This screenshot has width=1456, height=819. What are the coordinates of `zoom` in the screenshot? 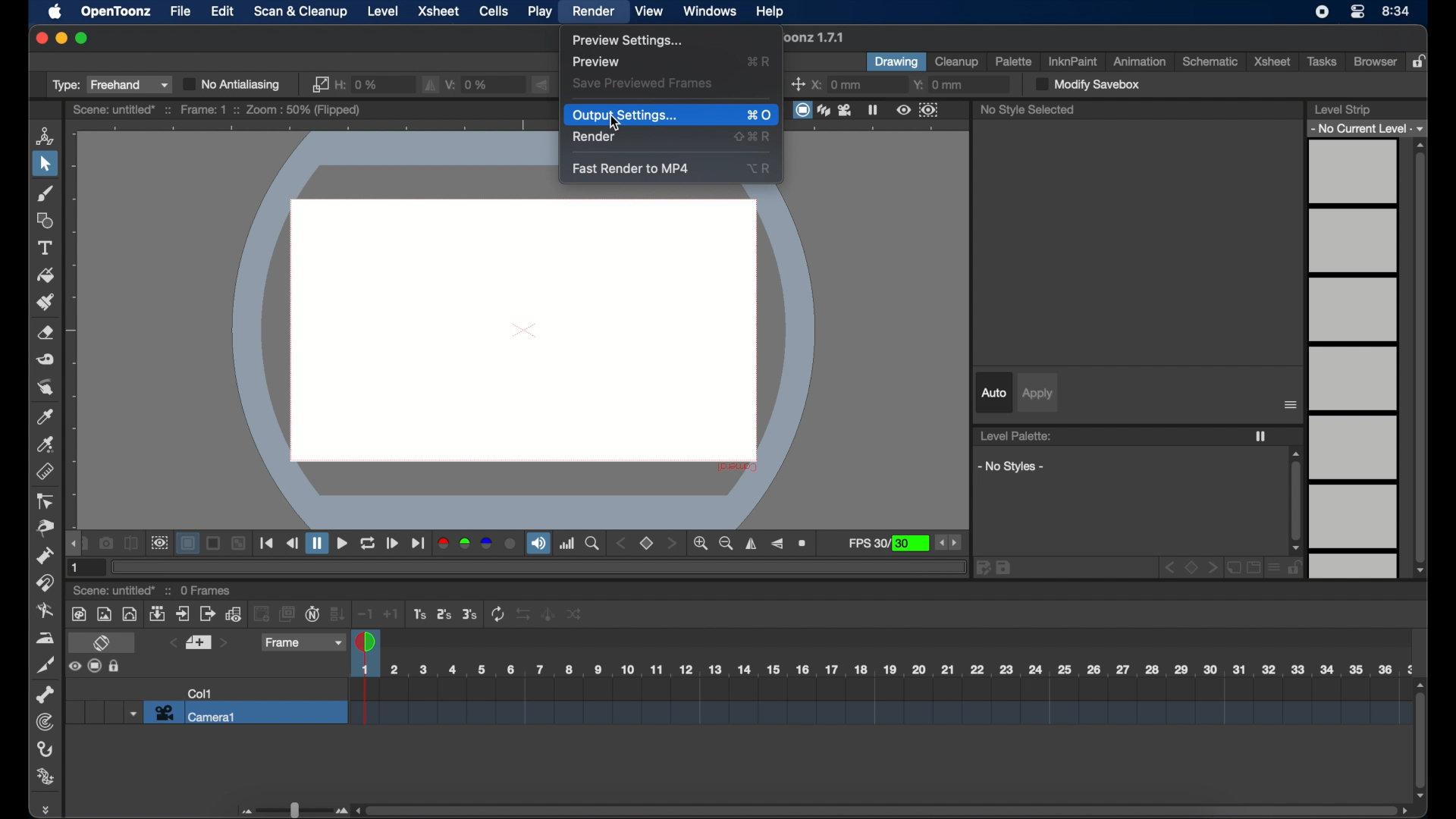 It's located at (593, 544).